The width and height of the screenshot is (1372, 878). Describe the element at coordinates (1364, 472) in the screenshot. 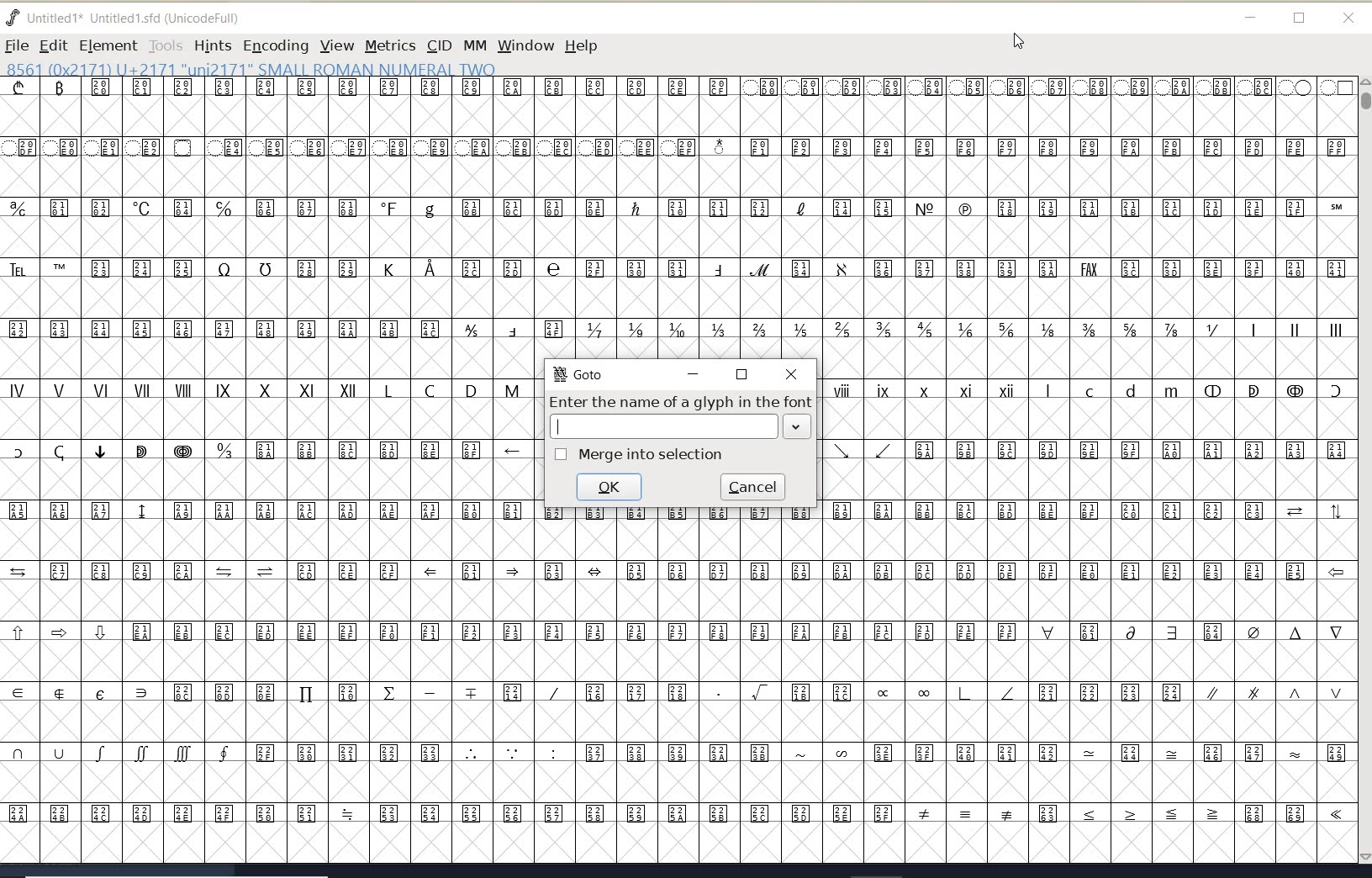

I see `SCROLLBAR` at that location.